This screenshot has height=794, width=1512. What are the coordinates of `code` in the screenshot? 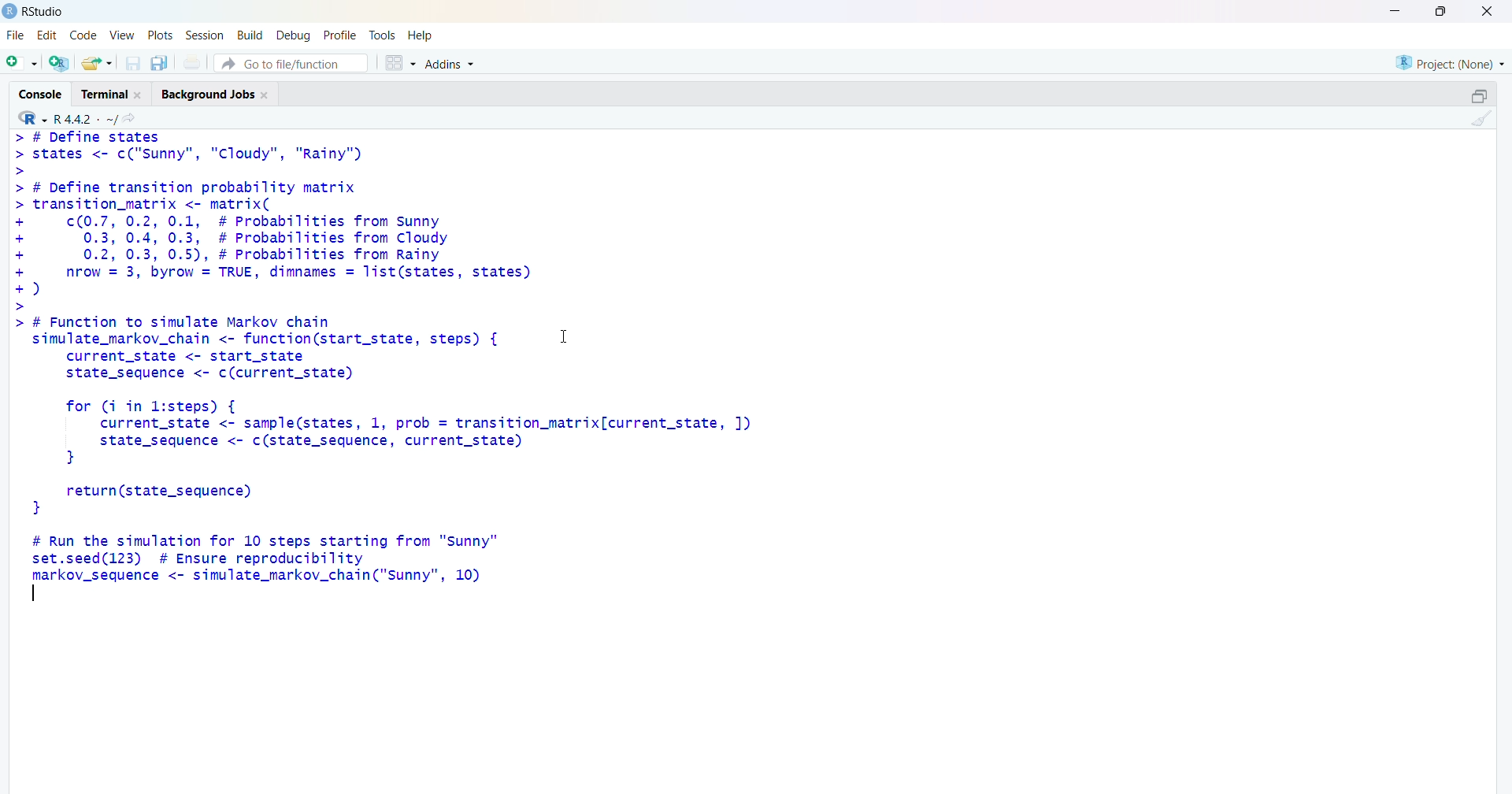 It's located at (86, 33).